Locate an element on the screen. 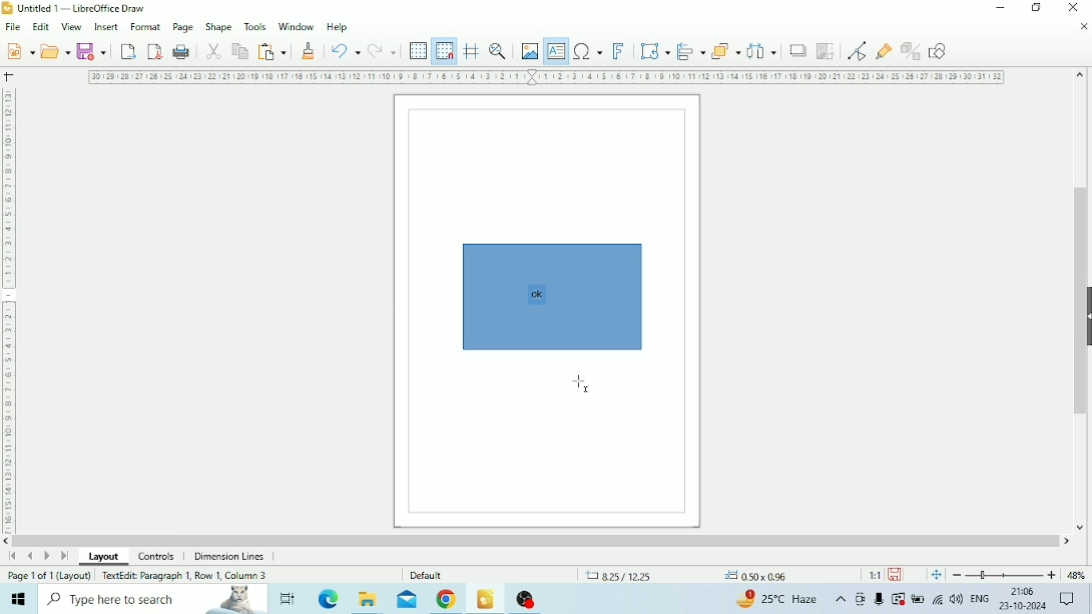 This screenshot has width=1092, height=614. Insert Image is located at coordinates (529, 52).